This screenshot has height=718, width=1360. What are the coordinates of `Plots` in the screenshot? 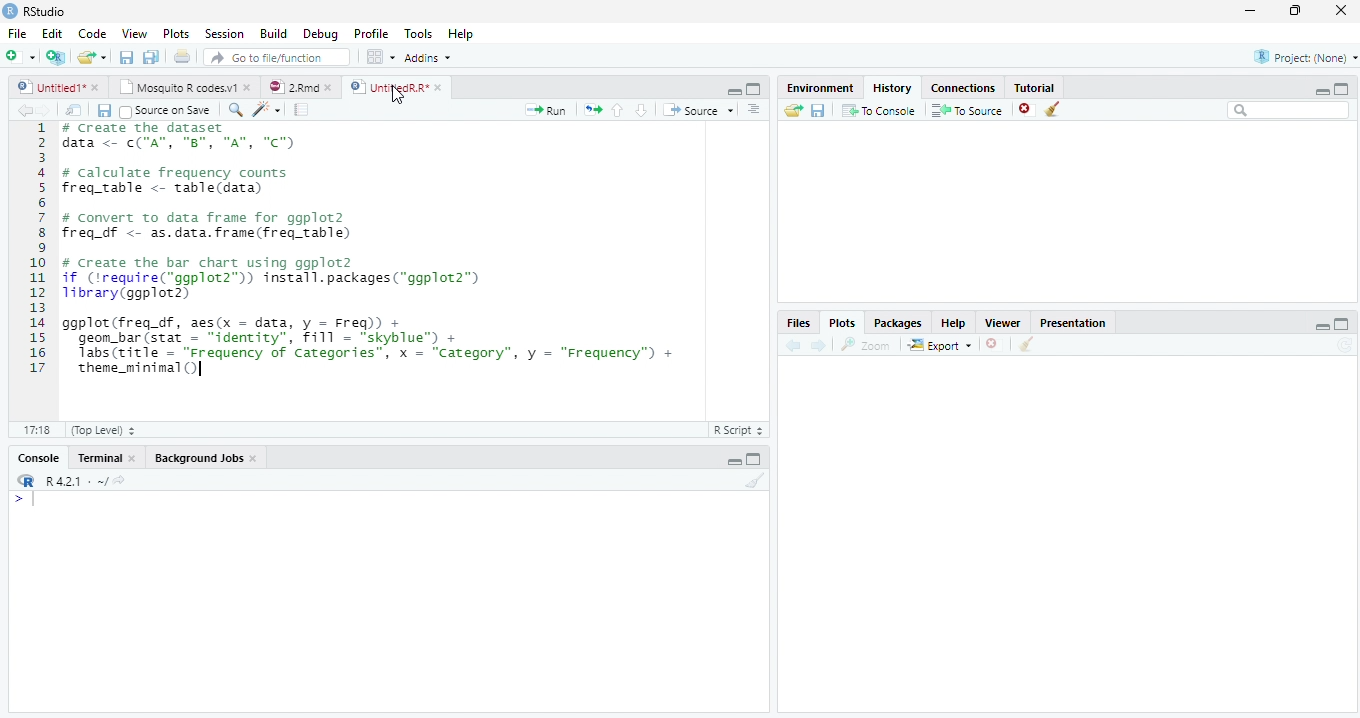 It's located at (842, 322).